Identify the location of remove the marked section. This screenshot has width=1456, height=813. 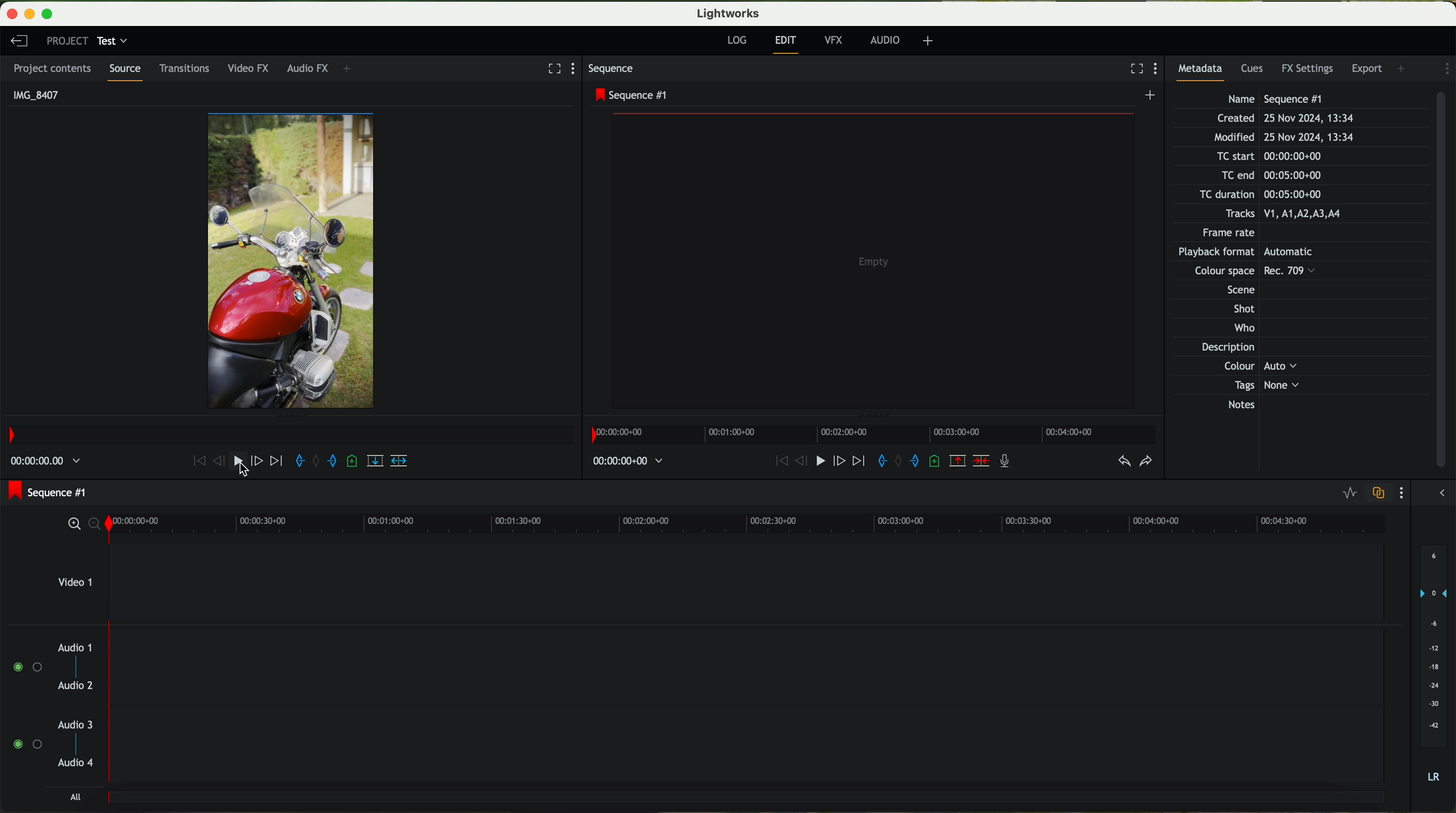
(959, 462).